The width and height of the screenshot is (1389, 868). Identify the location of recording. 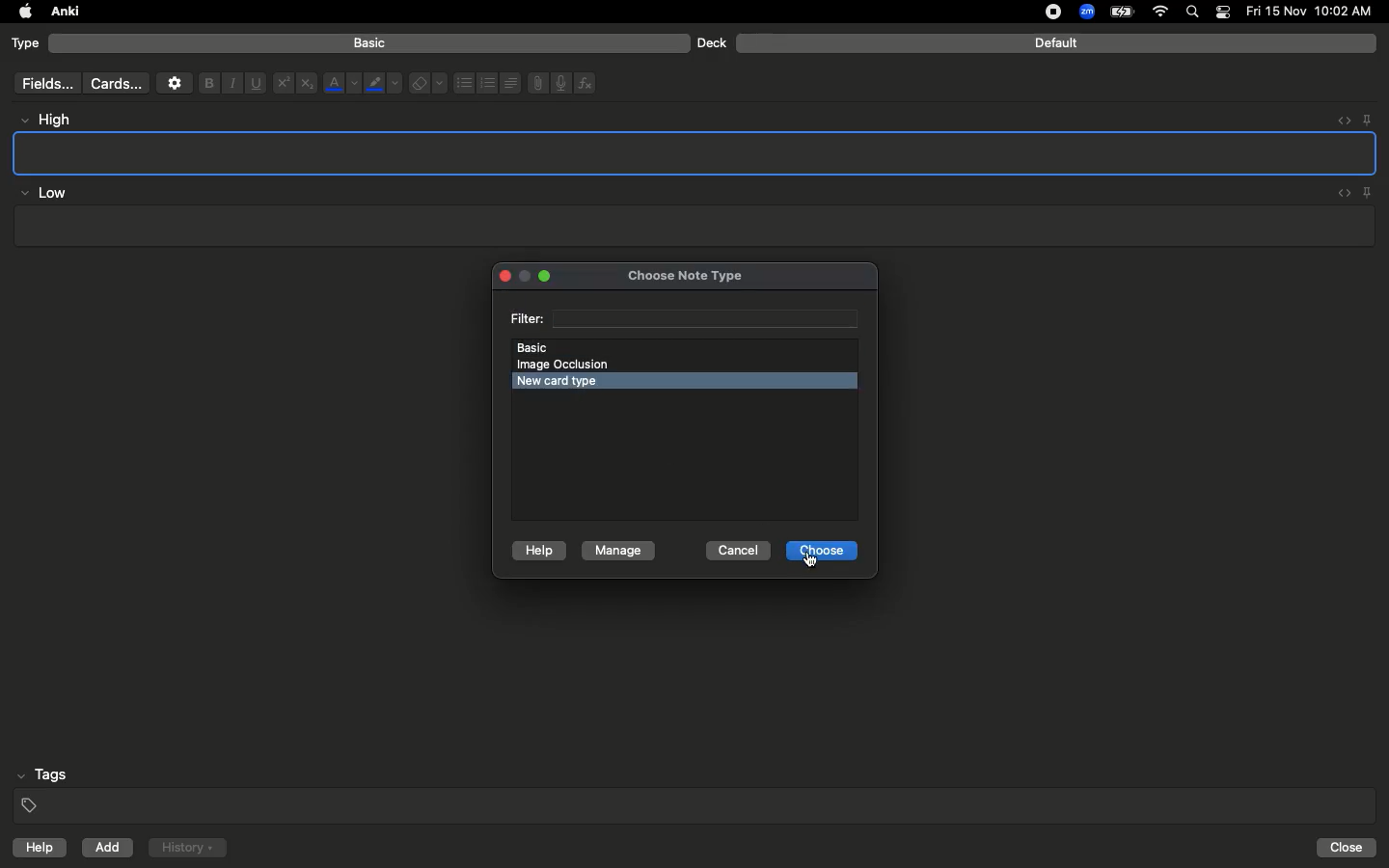
(1042, 12).